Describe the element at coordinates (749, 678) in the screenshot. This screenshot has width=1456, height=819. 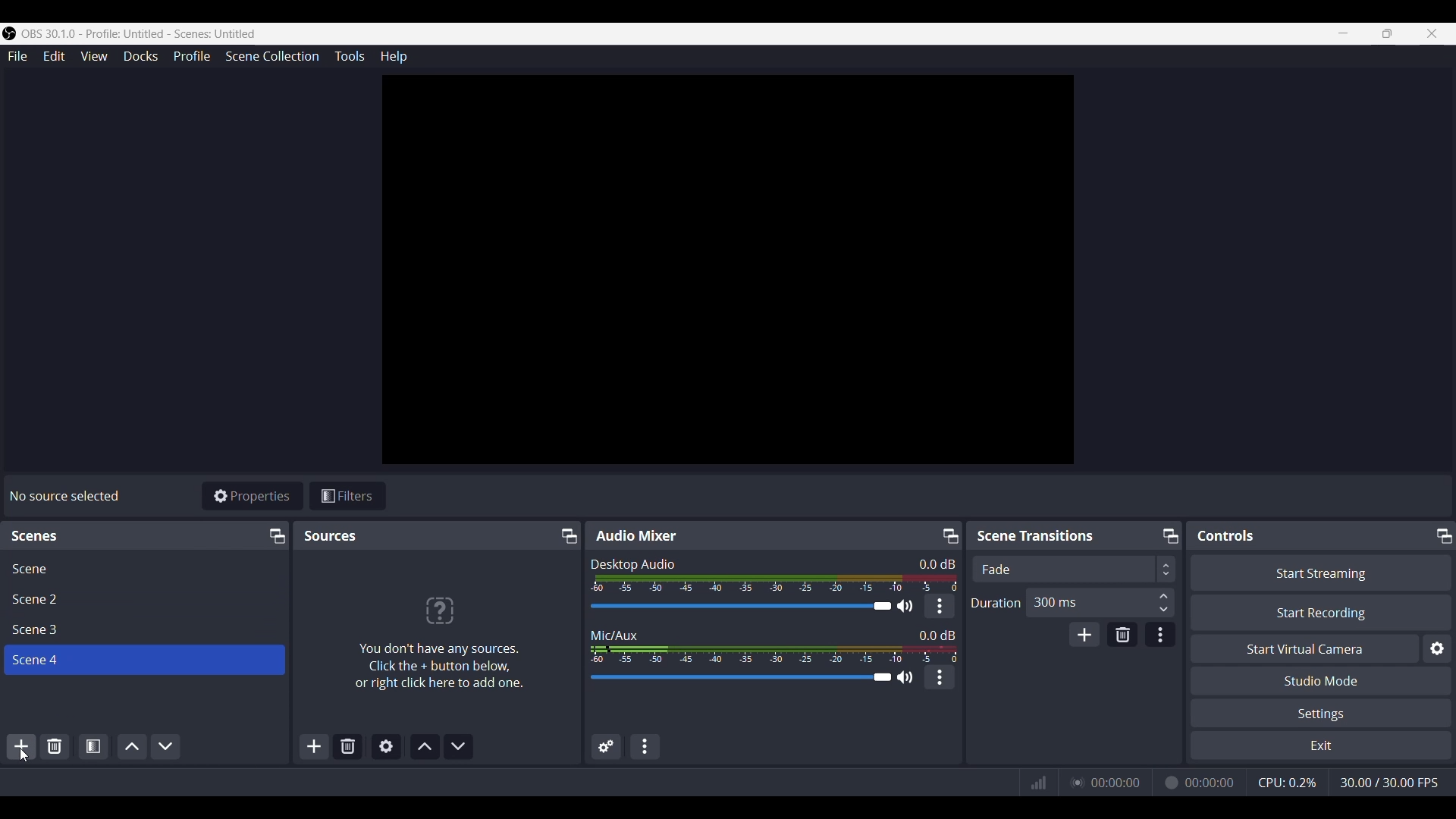
I see `Volume Adjuster` at that location.